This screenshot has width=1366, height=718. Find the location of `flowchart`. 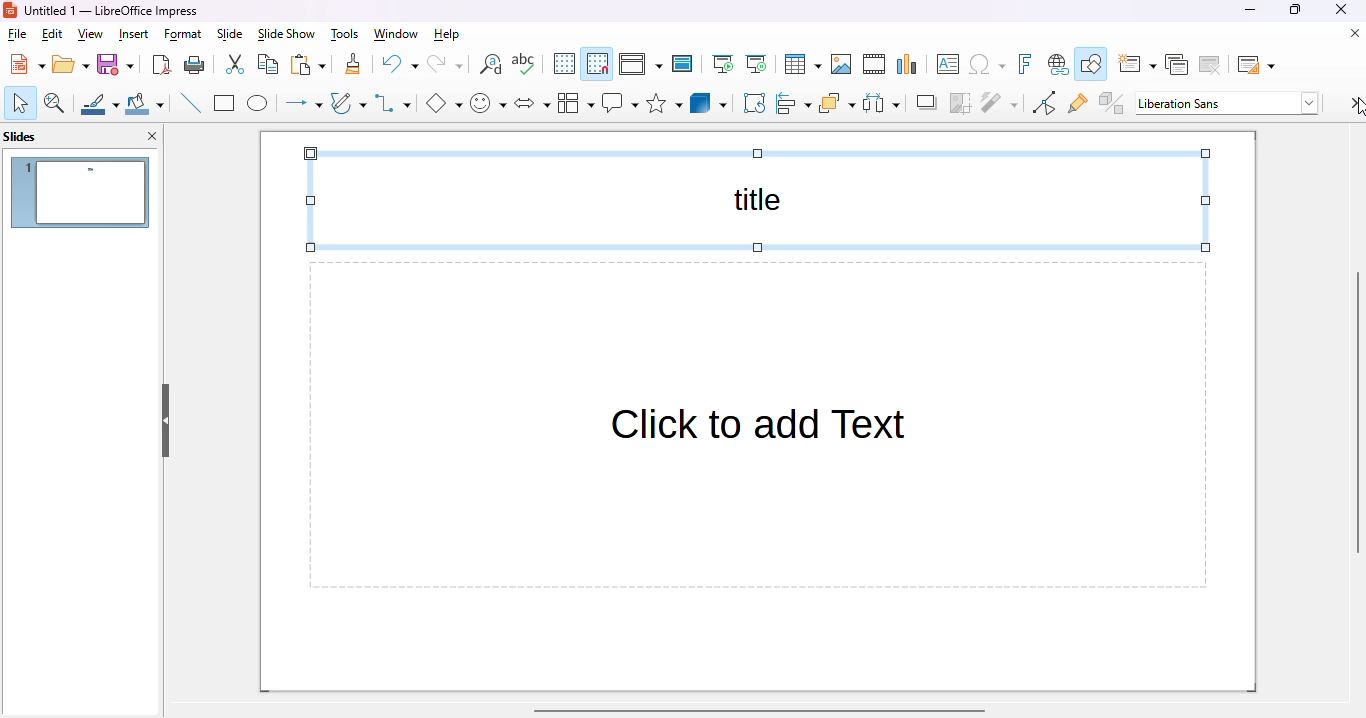

flowchart is located at coordinates (575, 103).